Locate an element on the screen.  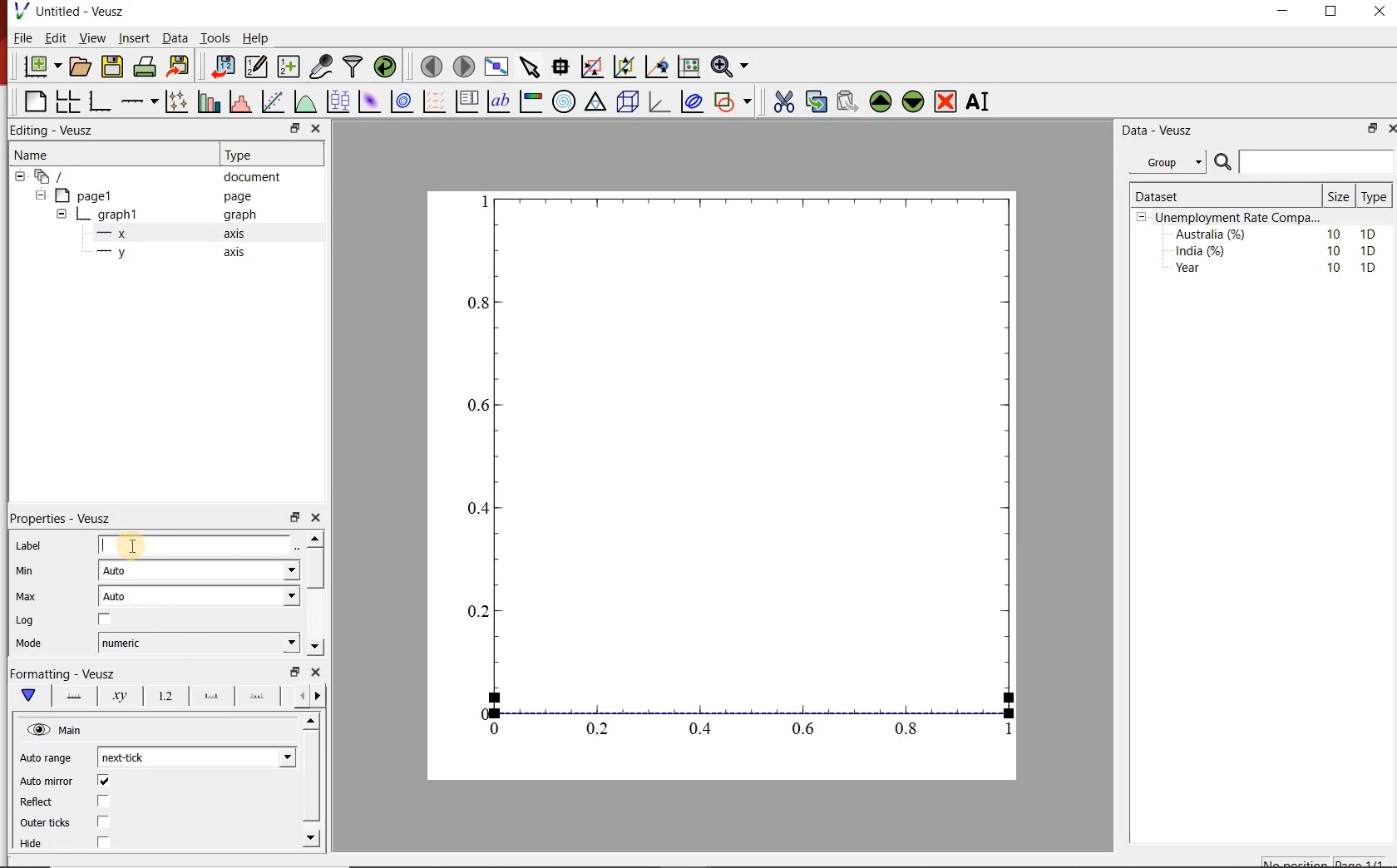
bar graphs is located at coordinates (207, 101).